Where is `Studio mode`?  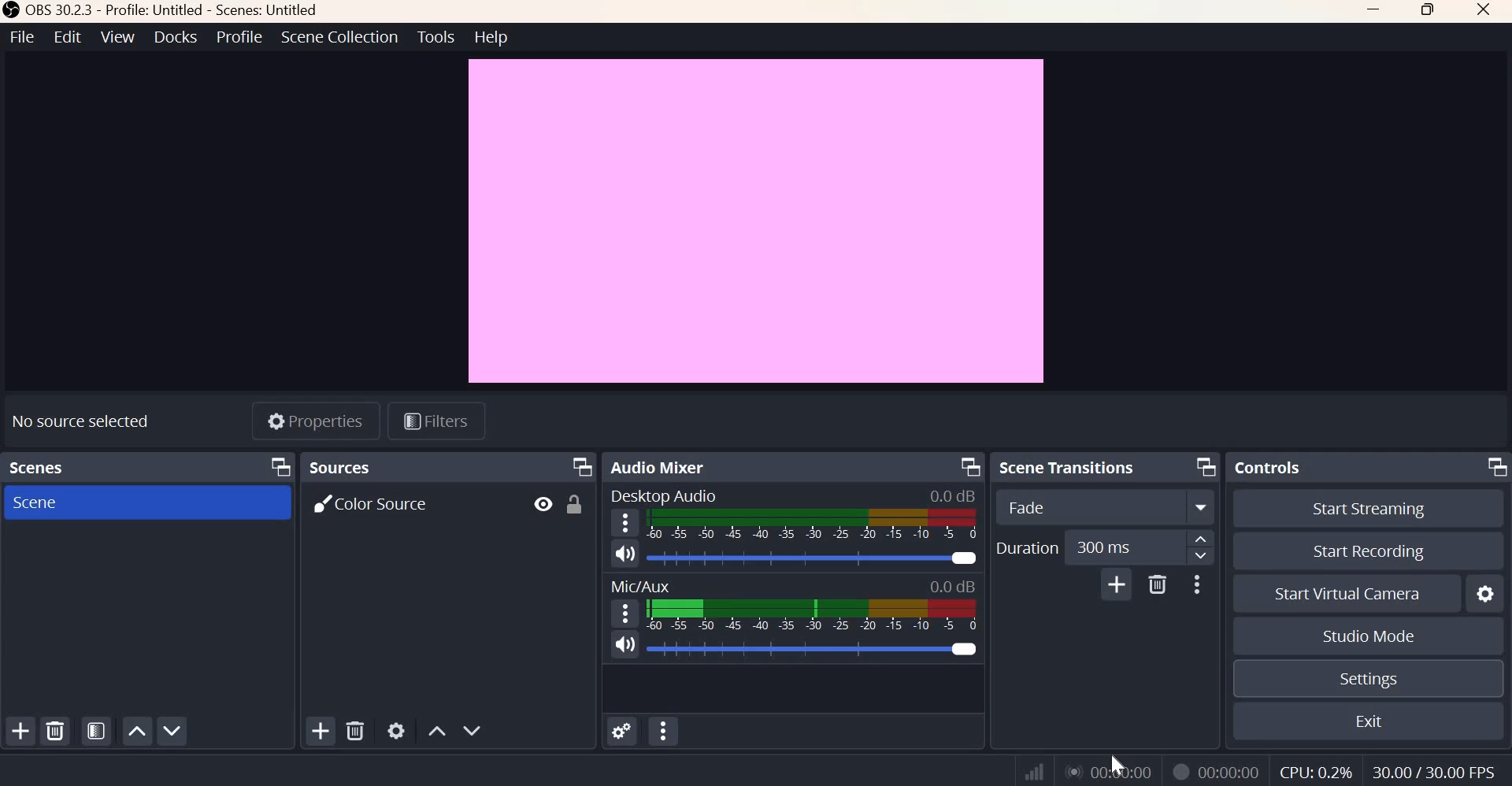
Studio mode is located at coordinates (1367, 637).